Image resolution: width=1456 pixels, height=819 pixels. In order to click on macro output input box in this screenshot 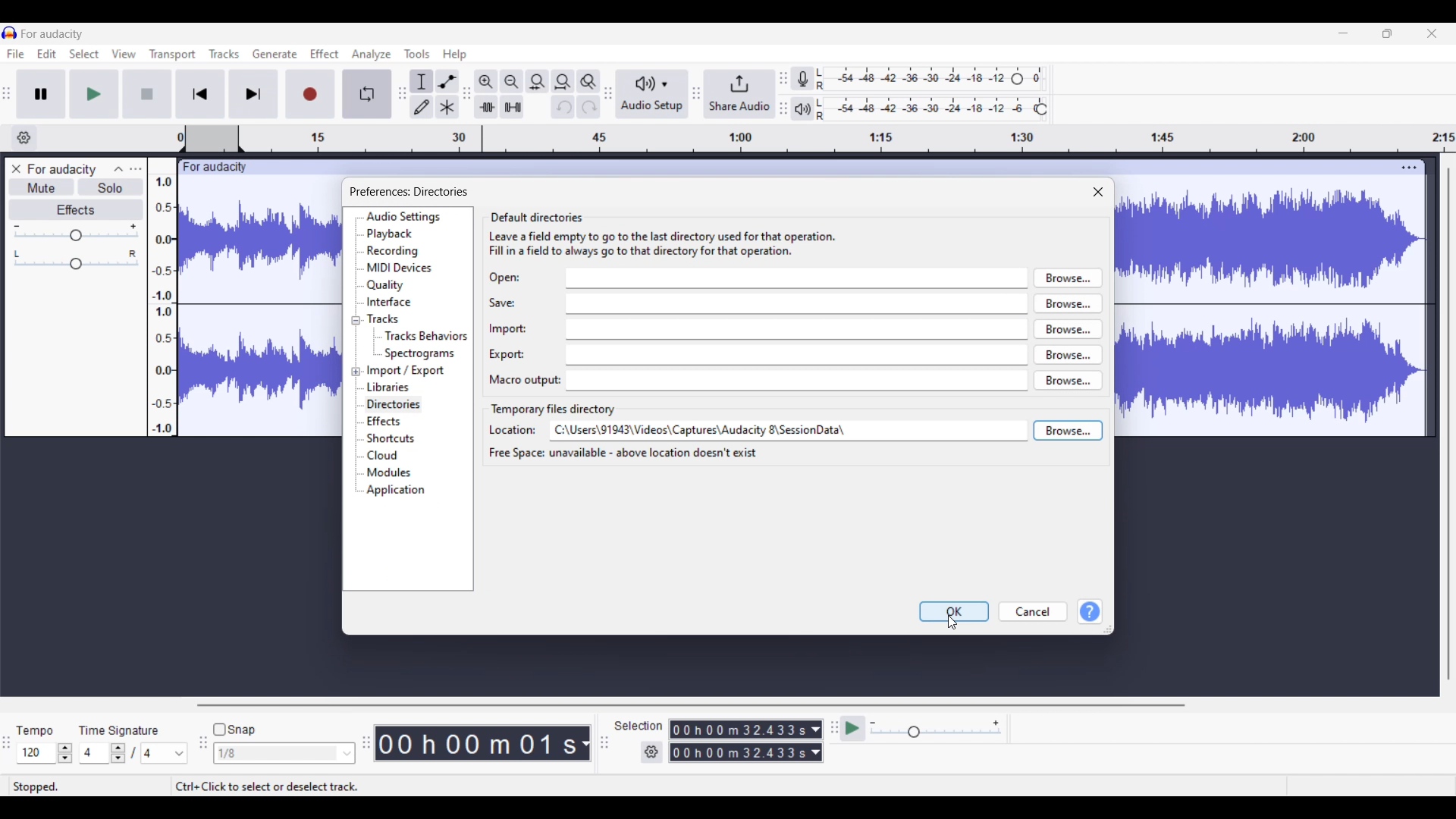, I will do `click(796, 381)`.